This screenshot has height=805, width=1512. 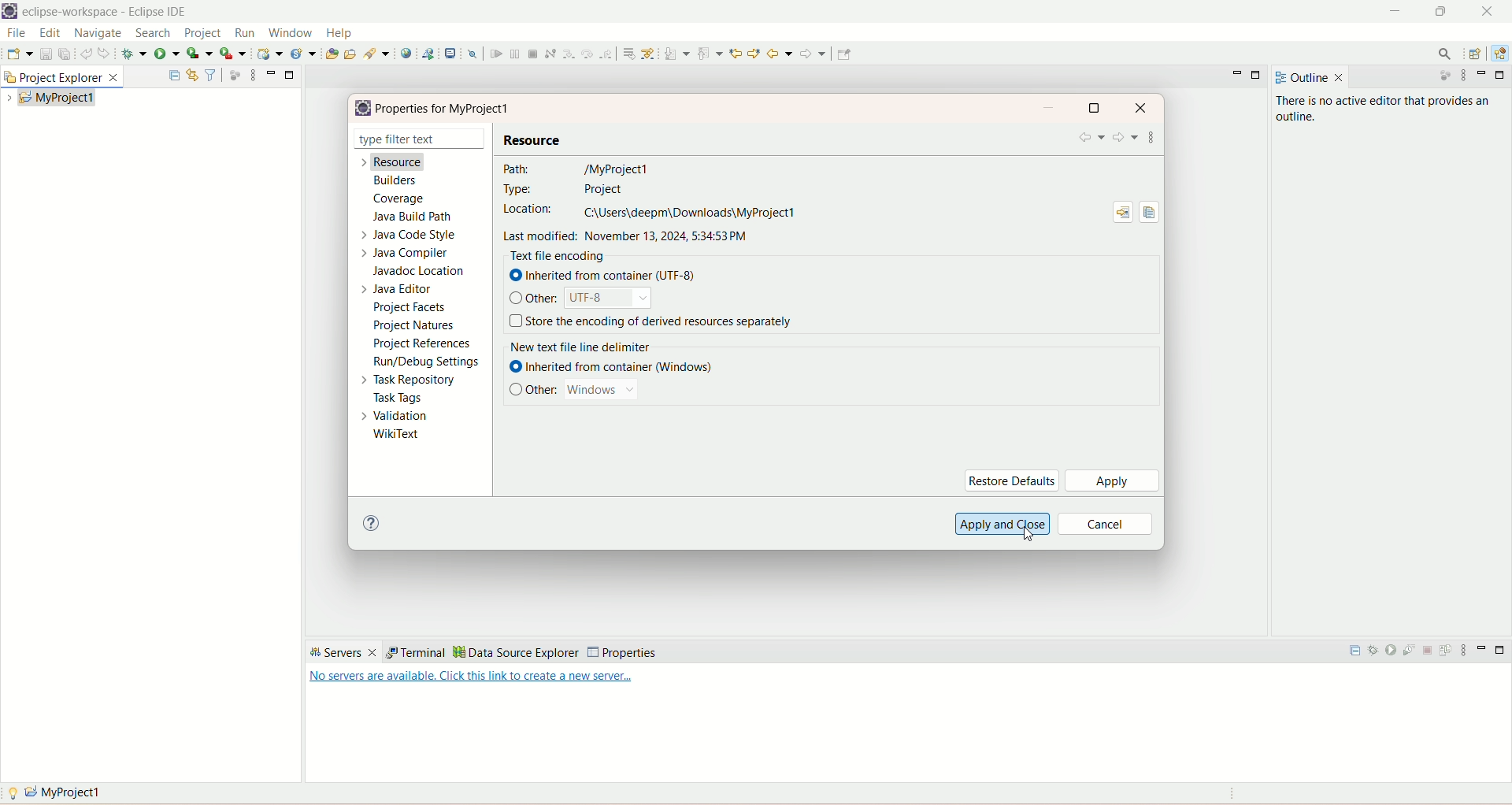 What do you see at coordinates (1481, 72) in the screenshot?
I see `minimize` at bounding box center [1481, 72].